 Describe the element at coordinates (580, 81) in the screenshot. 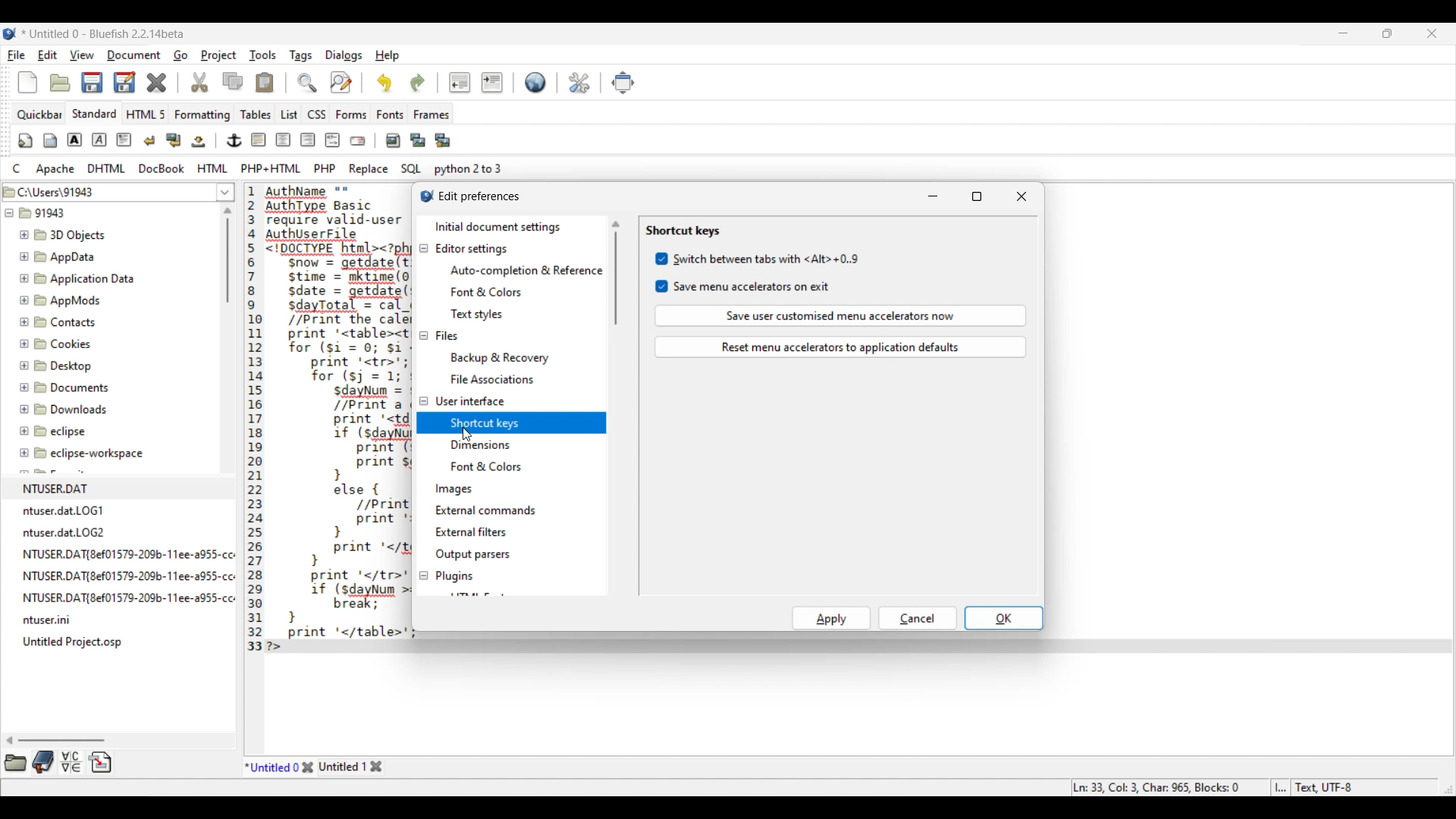

I see `Edit preferences, highlighted by cursor` at that location.